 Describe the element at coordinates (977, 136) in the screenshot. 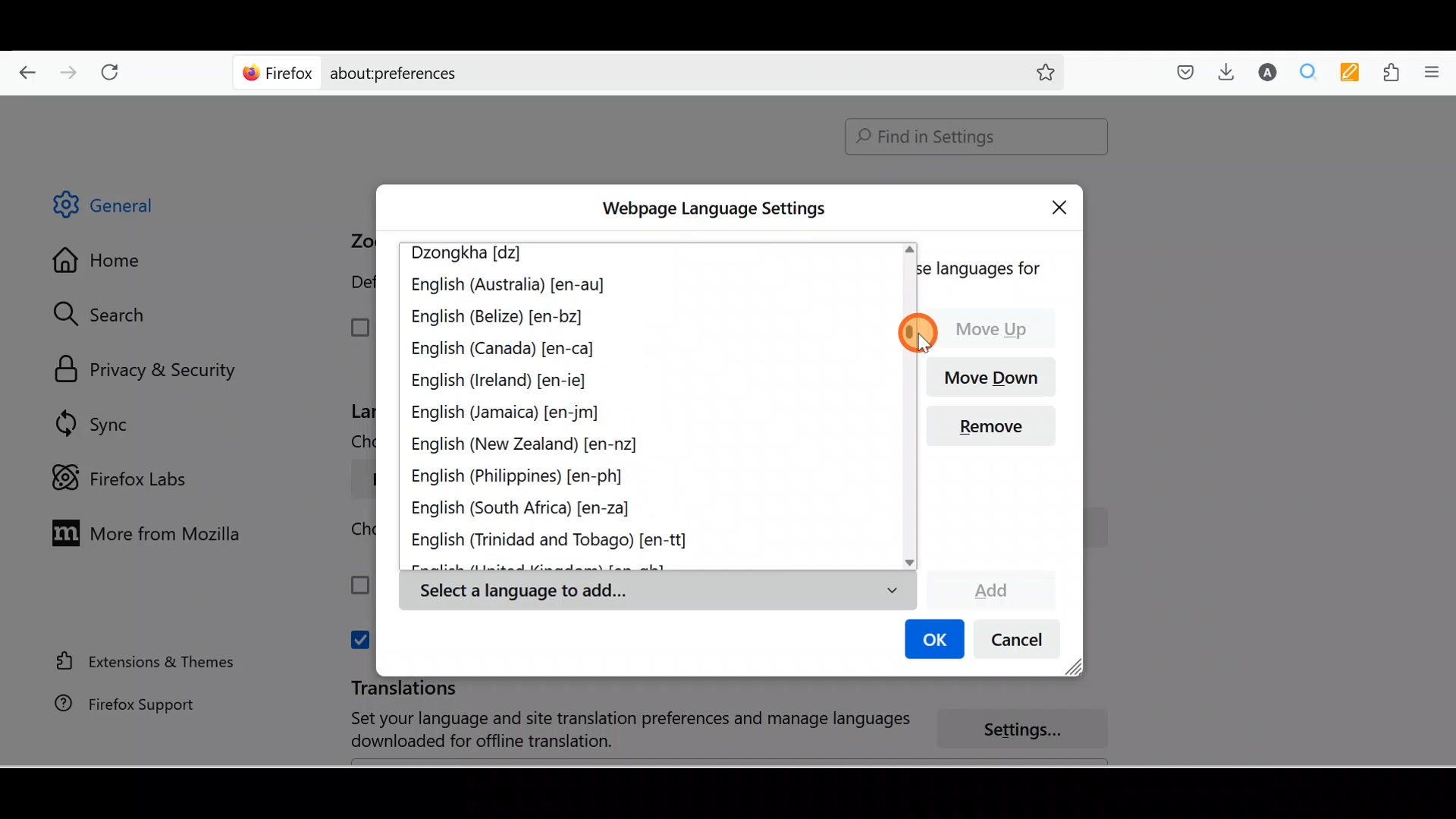

I see `Find in Settings` at that location.